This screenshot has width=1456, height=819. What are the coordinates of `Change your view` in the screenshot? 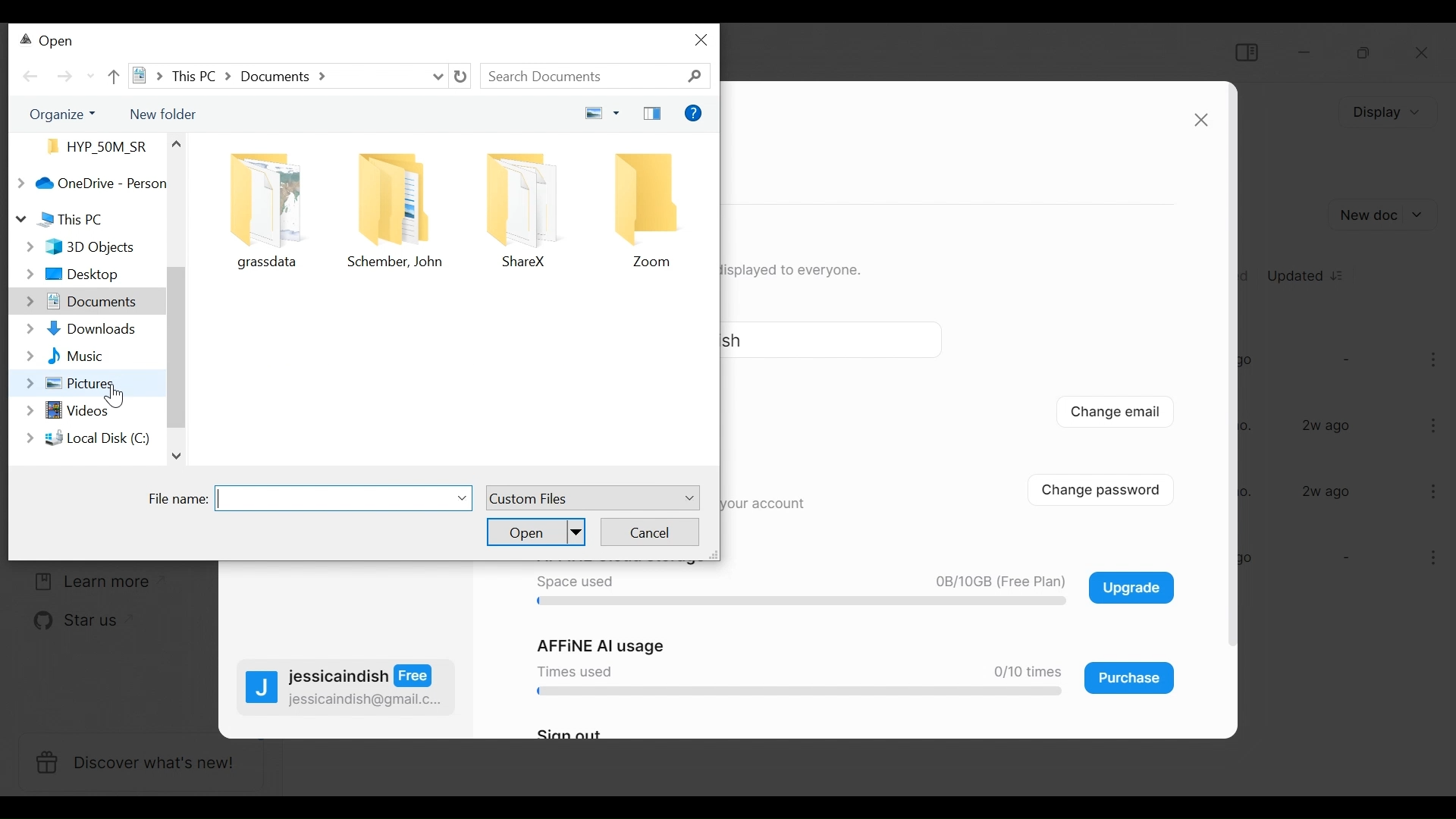 It's located at (598, 114).